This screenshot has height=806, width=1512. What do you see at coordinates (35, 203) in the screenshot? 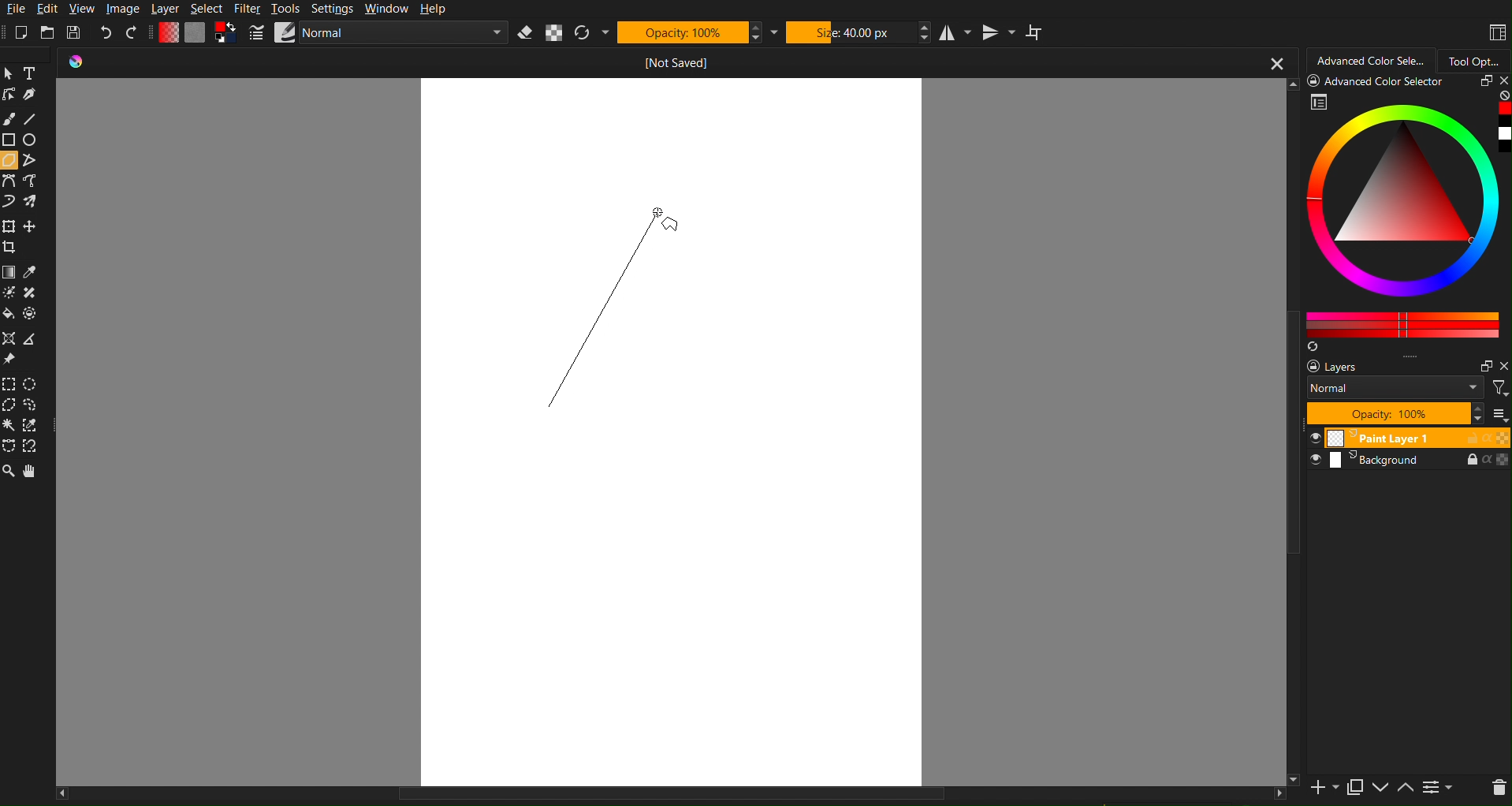
I see `multibrush tool` at bounding box center [35, 203].